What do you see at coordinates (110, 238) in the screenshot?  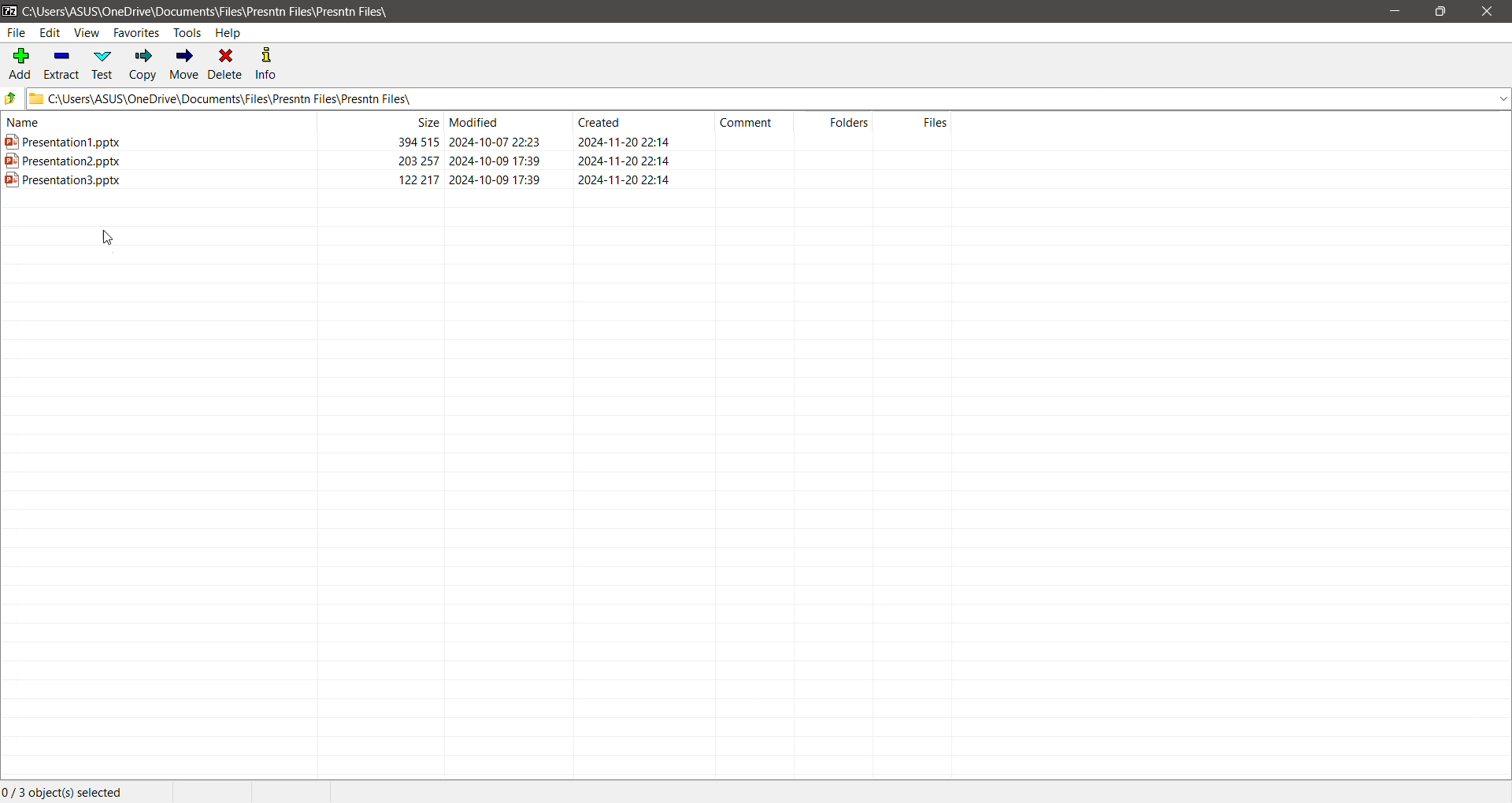 I see `Cursor` at bounding box center [110, 238].